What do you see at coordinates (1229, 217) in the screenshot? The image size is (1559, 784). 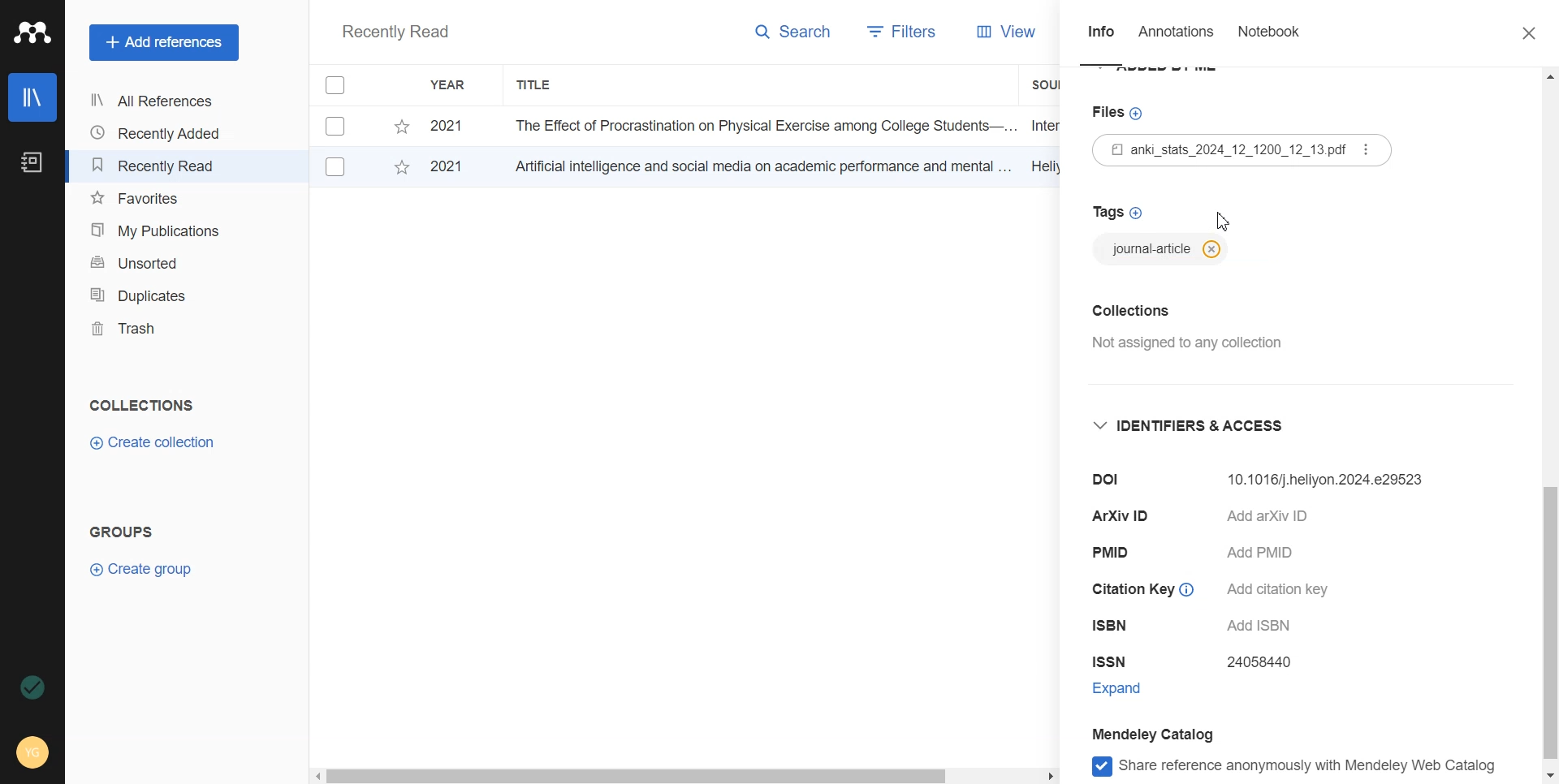 I see `Cursor` at bounding box center [1229, 217].